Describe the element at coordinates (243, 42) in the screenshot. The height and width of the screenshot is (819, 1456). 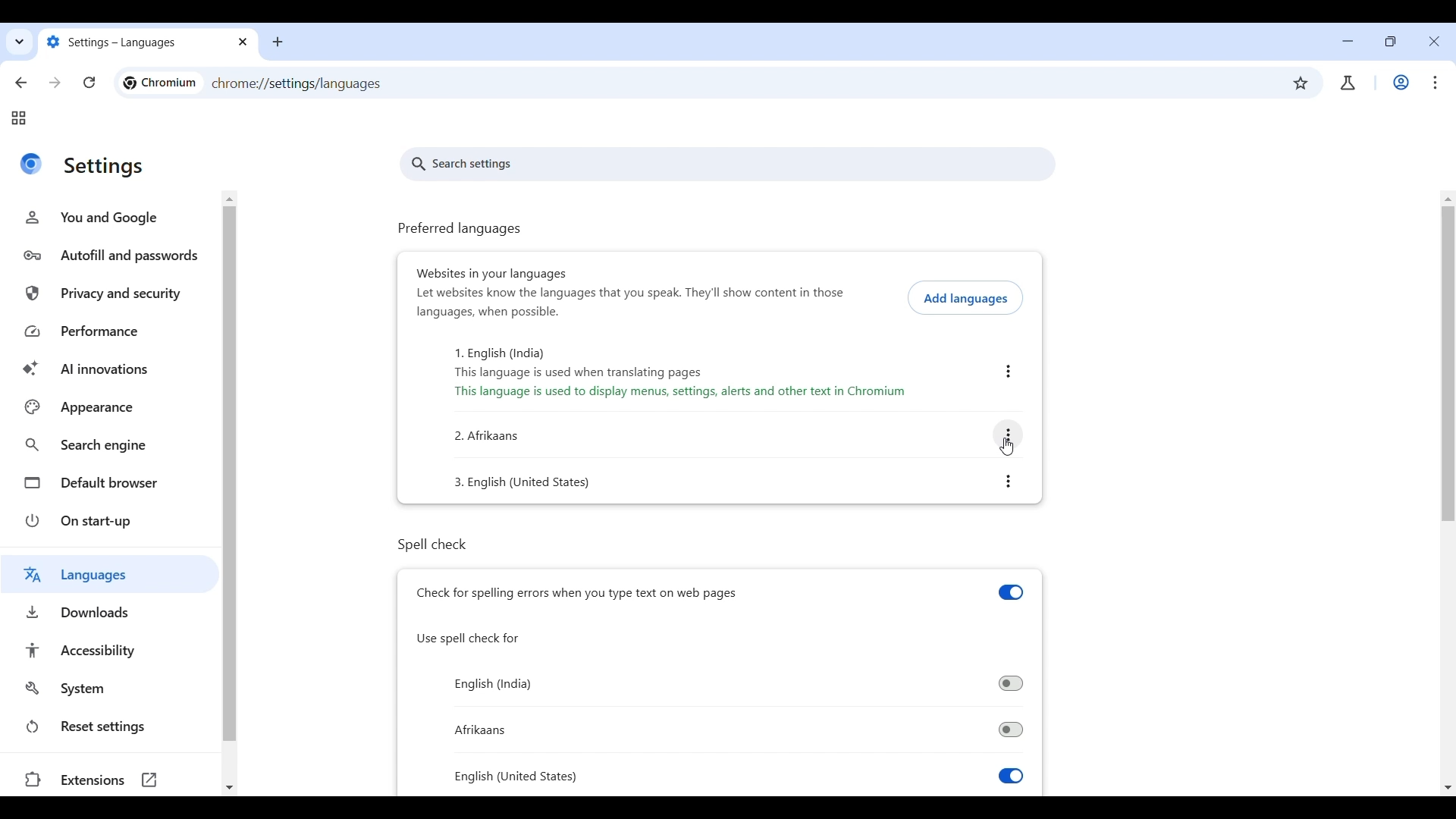
I see `close tab` at that location.